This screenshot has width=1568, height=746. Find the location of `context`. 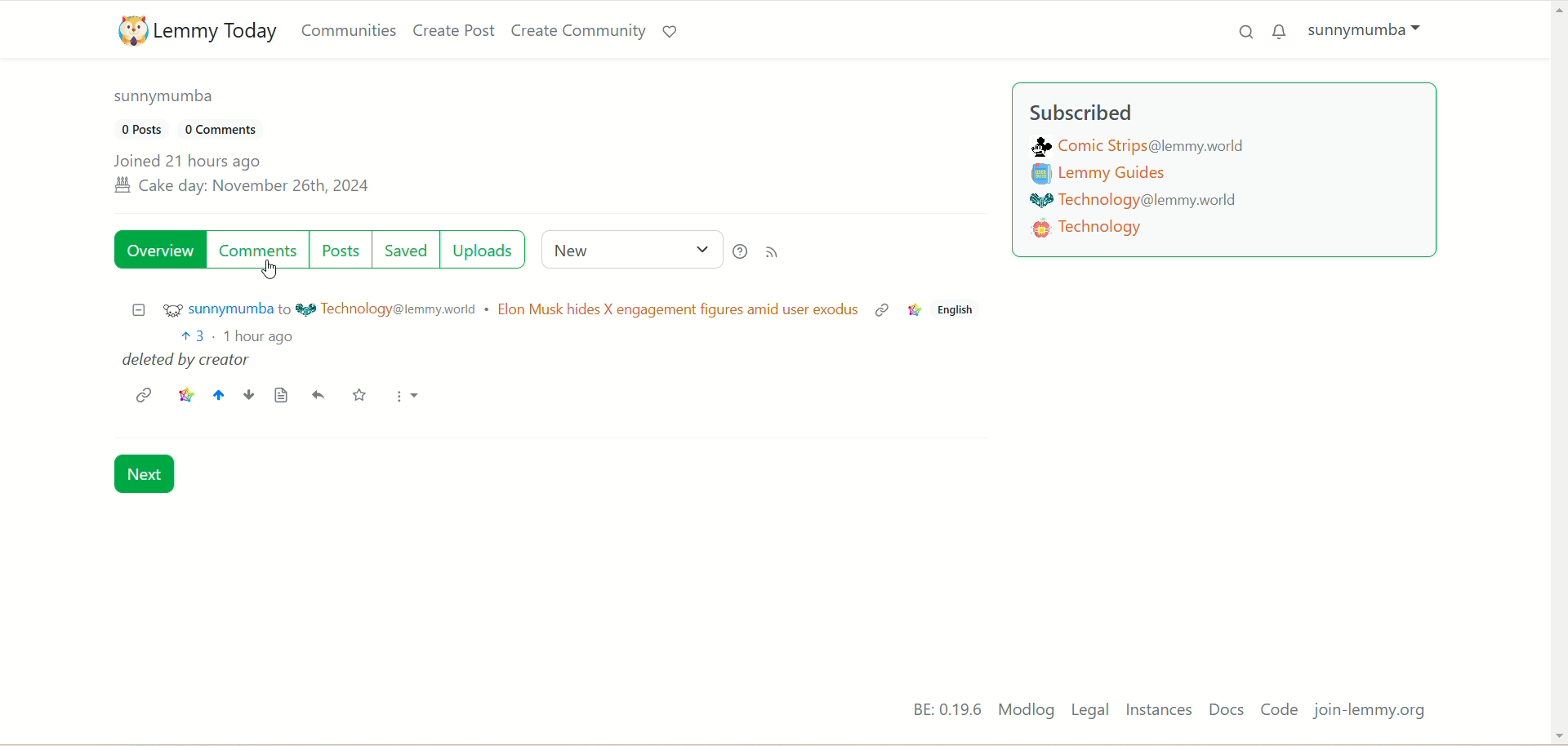

context is located at coordinates (915, 309).